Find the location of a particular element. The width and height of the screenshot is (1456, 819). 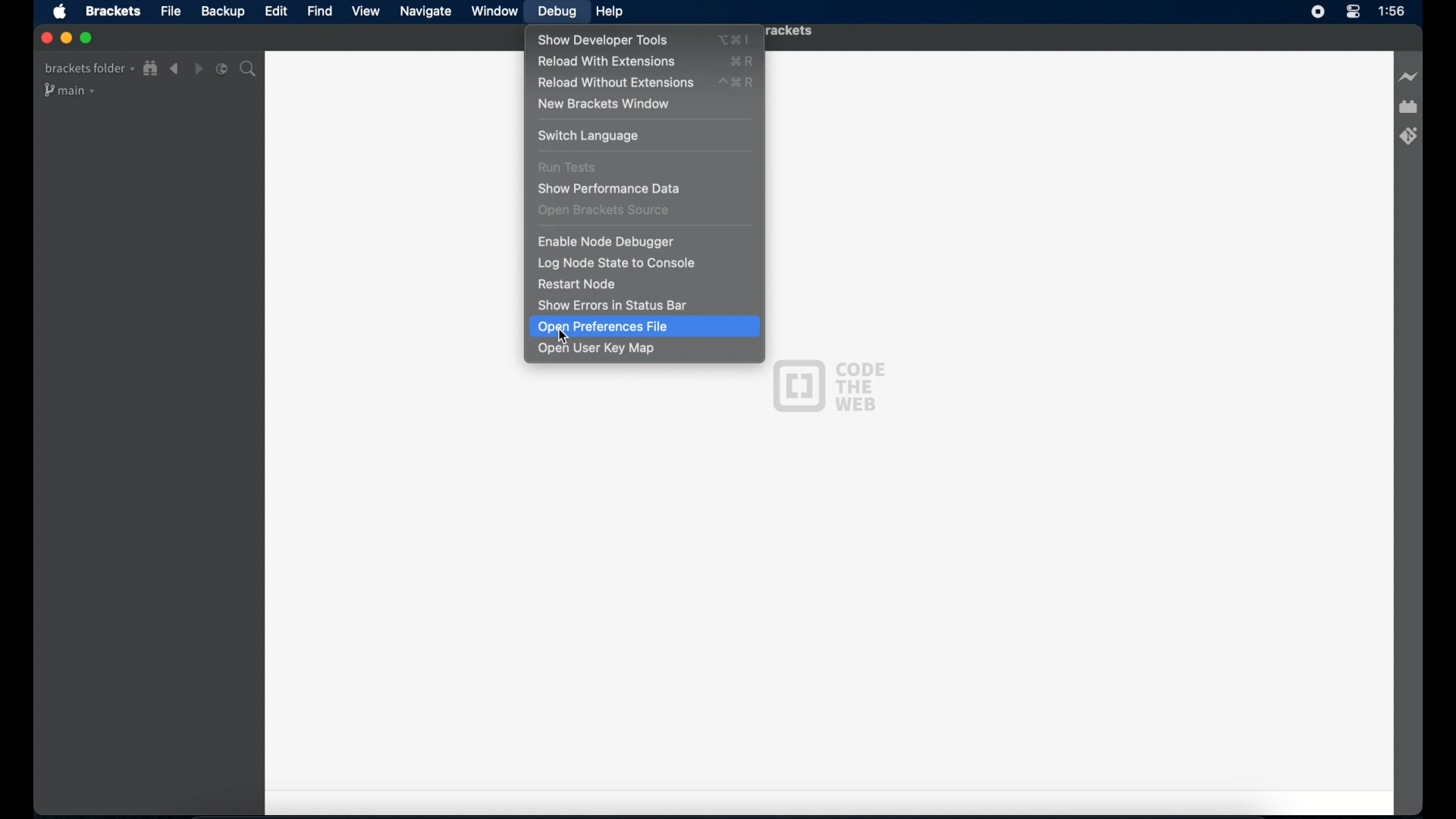

navigate forward is located at coordinates (198, 69).